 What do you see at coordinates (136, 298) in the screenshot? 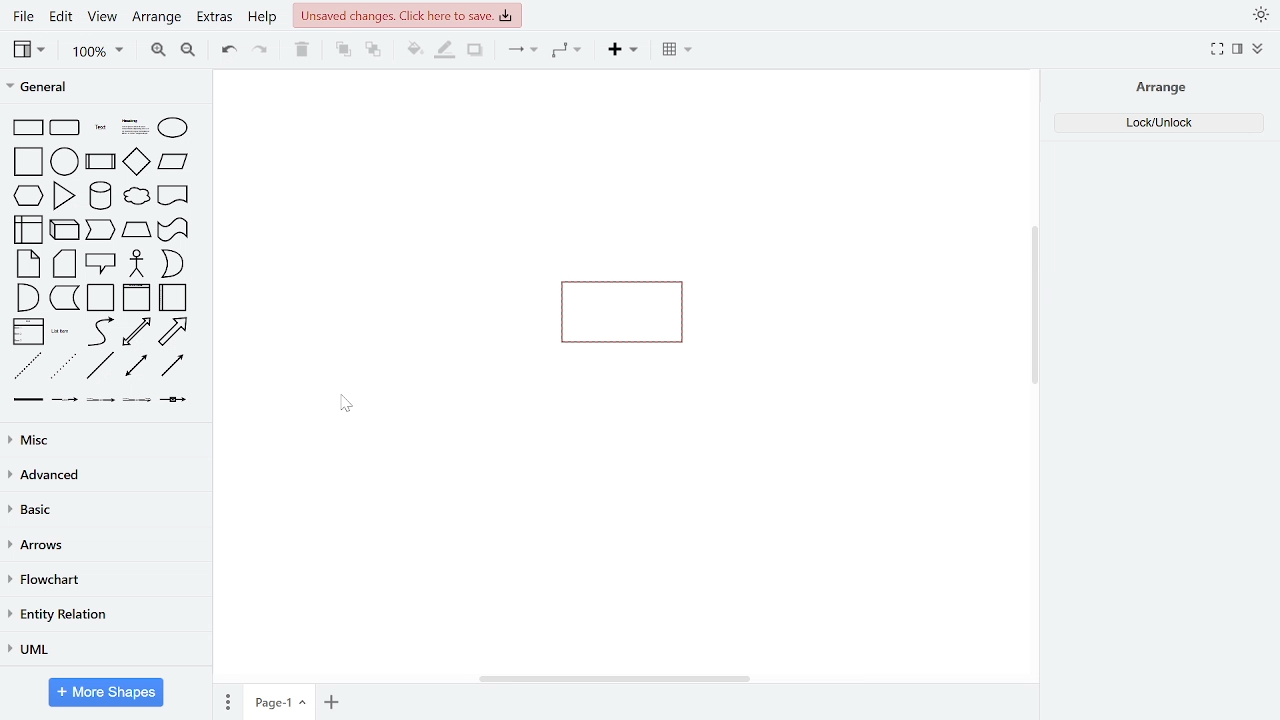
I see `vertical container` at bounding box center [136, 298].